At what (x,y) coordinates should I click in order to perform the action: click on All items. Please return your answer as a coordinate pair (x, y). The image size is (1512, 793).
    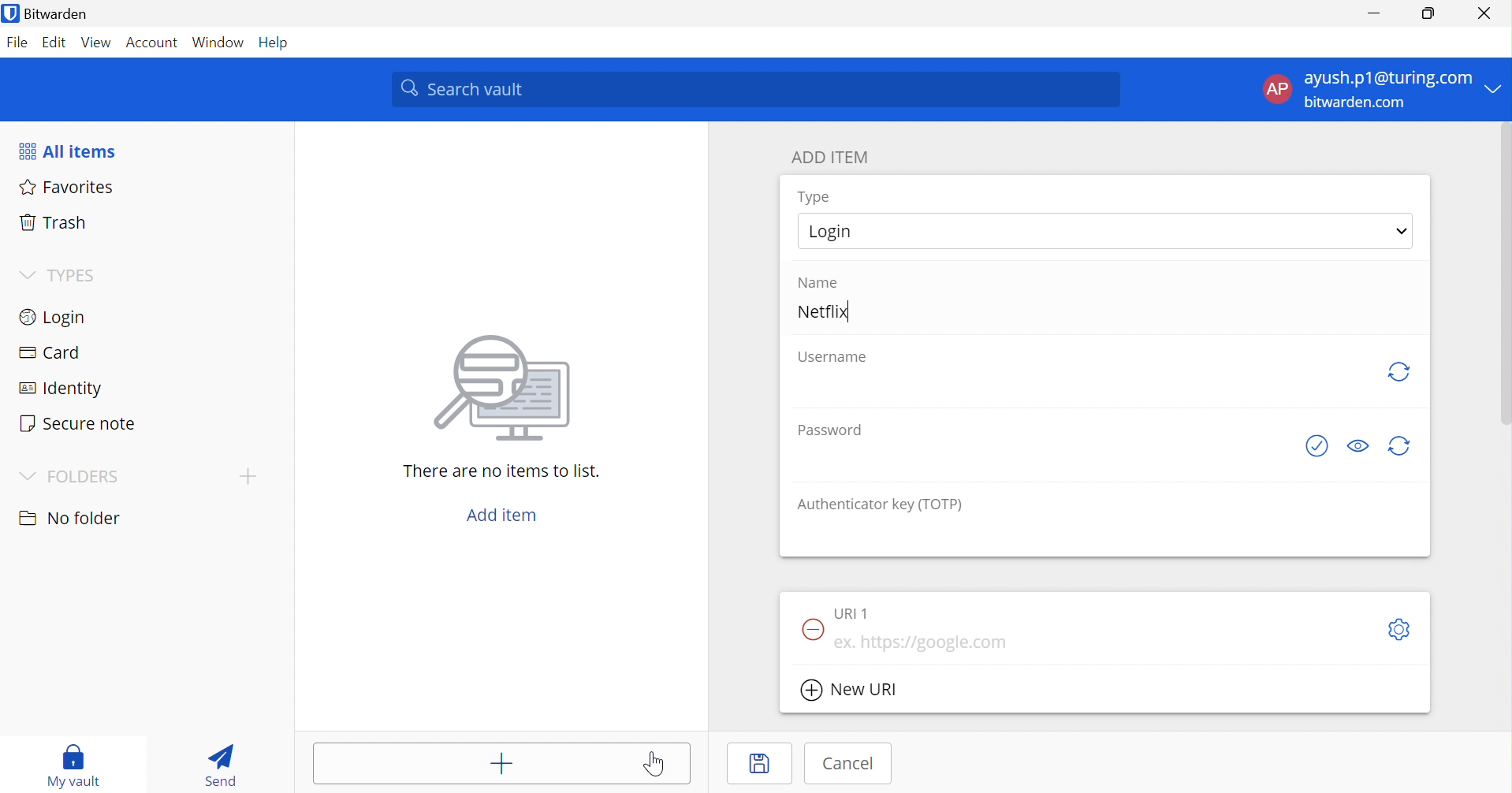
    Looking at the image, I should click on (68, 149).